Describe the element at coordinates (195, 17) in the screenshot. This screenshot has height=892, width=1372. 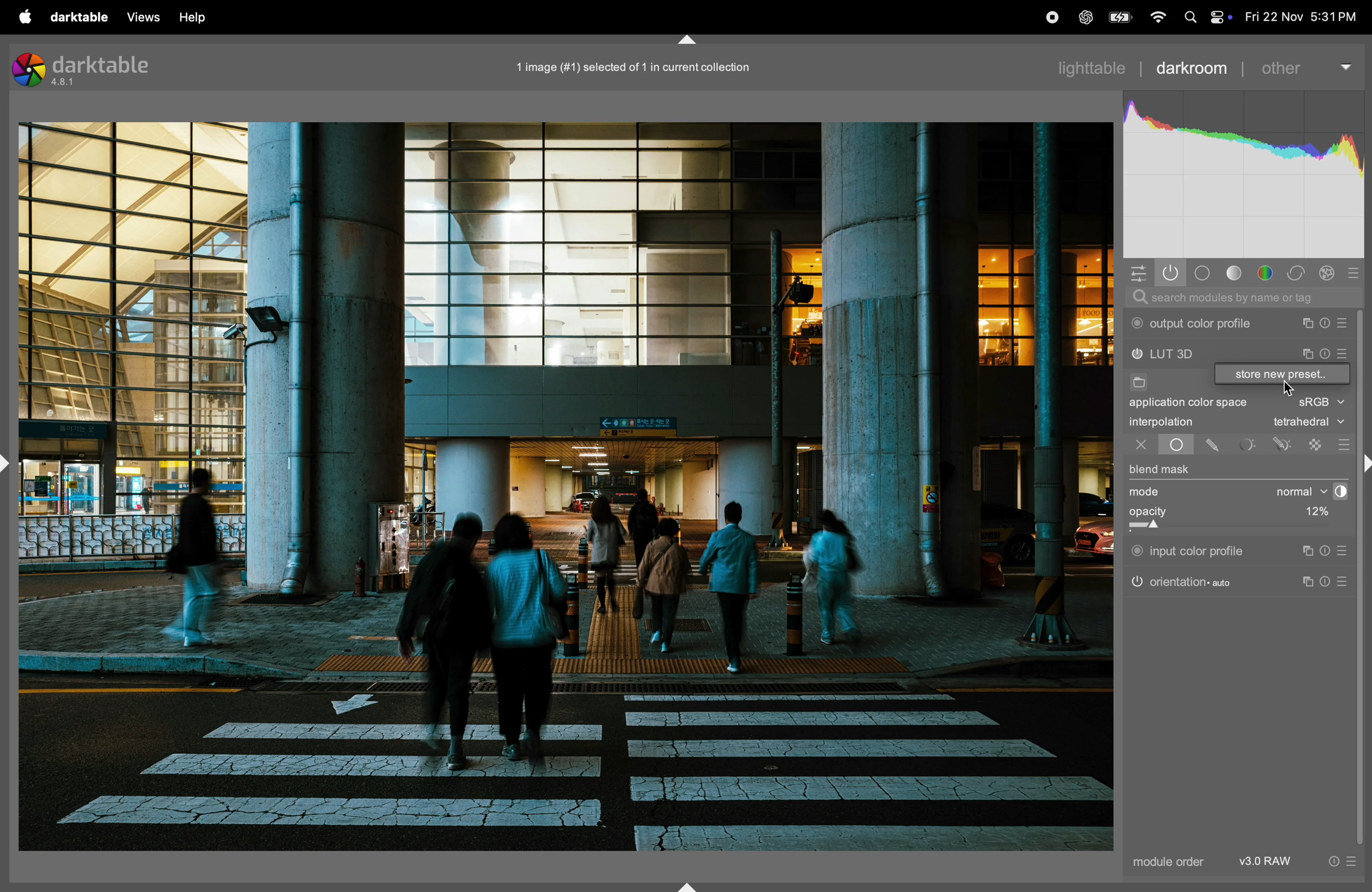
I see `help` at that location.